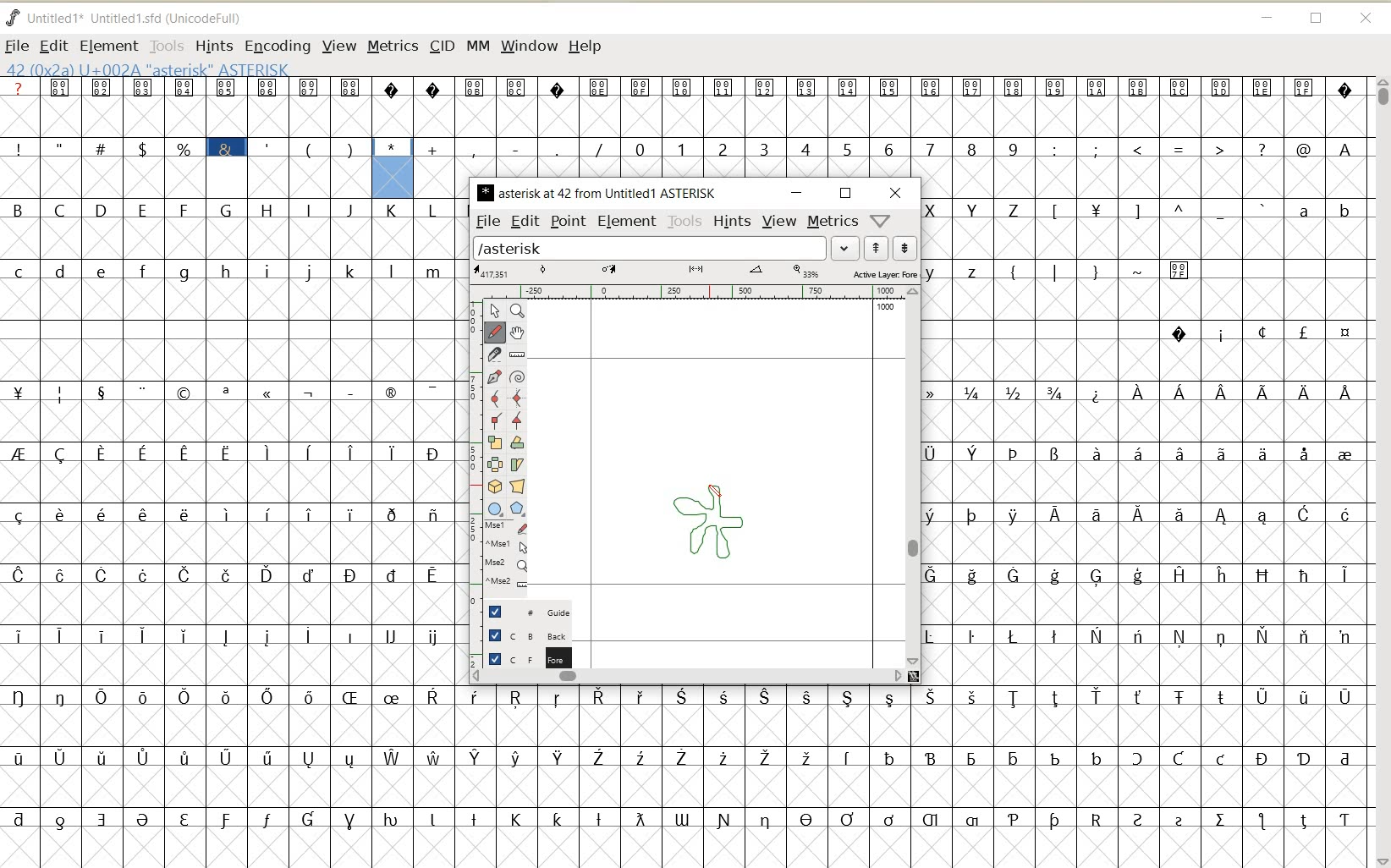 Image resolution: width=1391 pixels, height=868 pixels. What do you see at coordinates (523, 634) in the screenshot?
I see `BACKGROUND` at bounding box center [523, 634].